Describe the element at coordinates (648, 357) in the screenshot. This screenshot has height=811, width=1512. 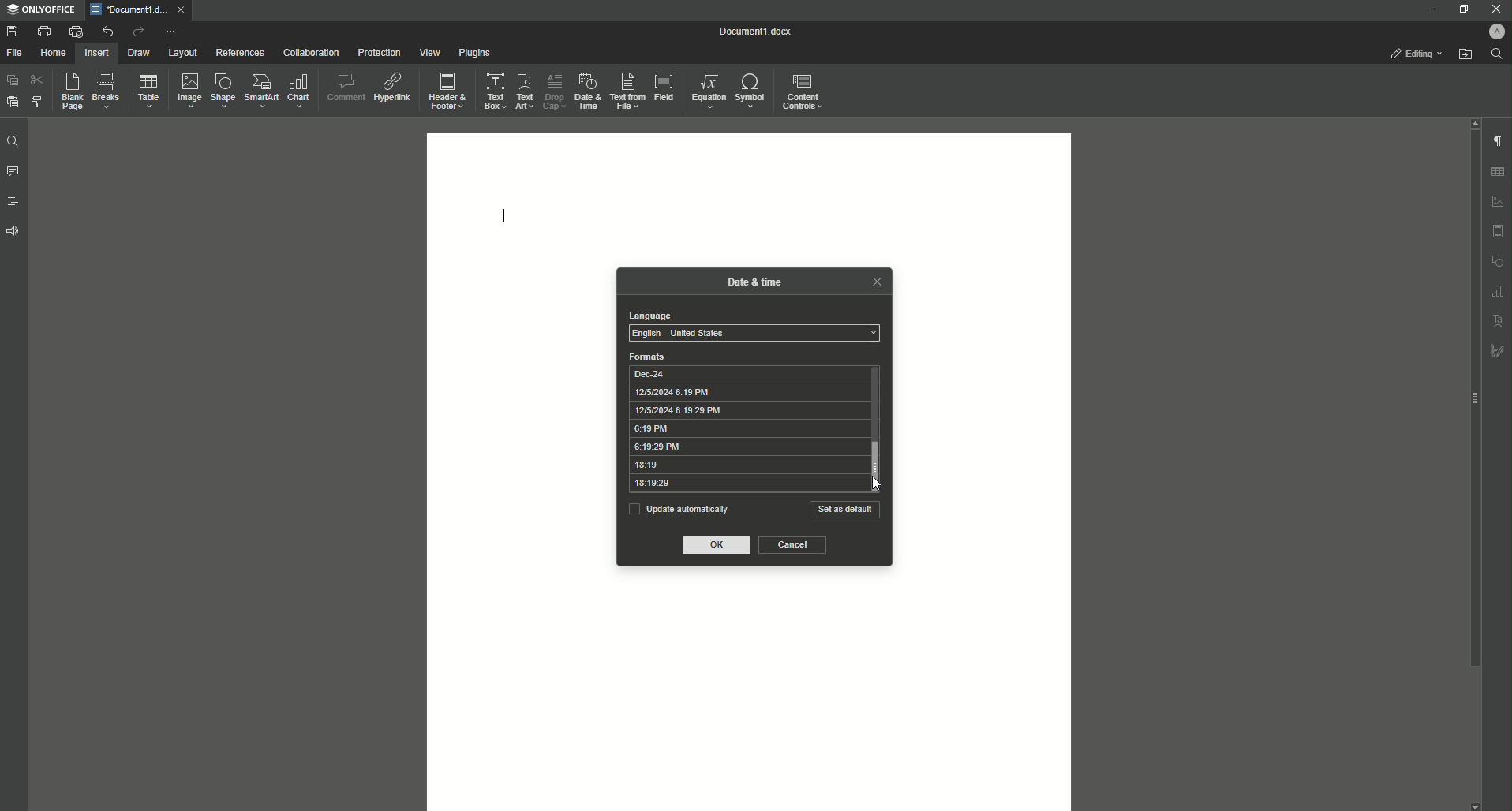
I see `formats` at that location.